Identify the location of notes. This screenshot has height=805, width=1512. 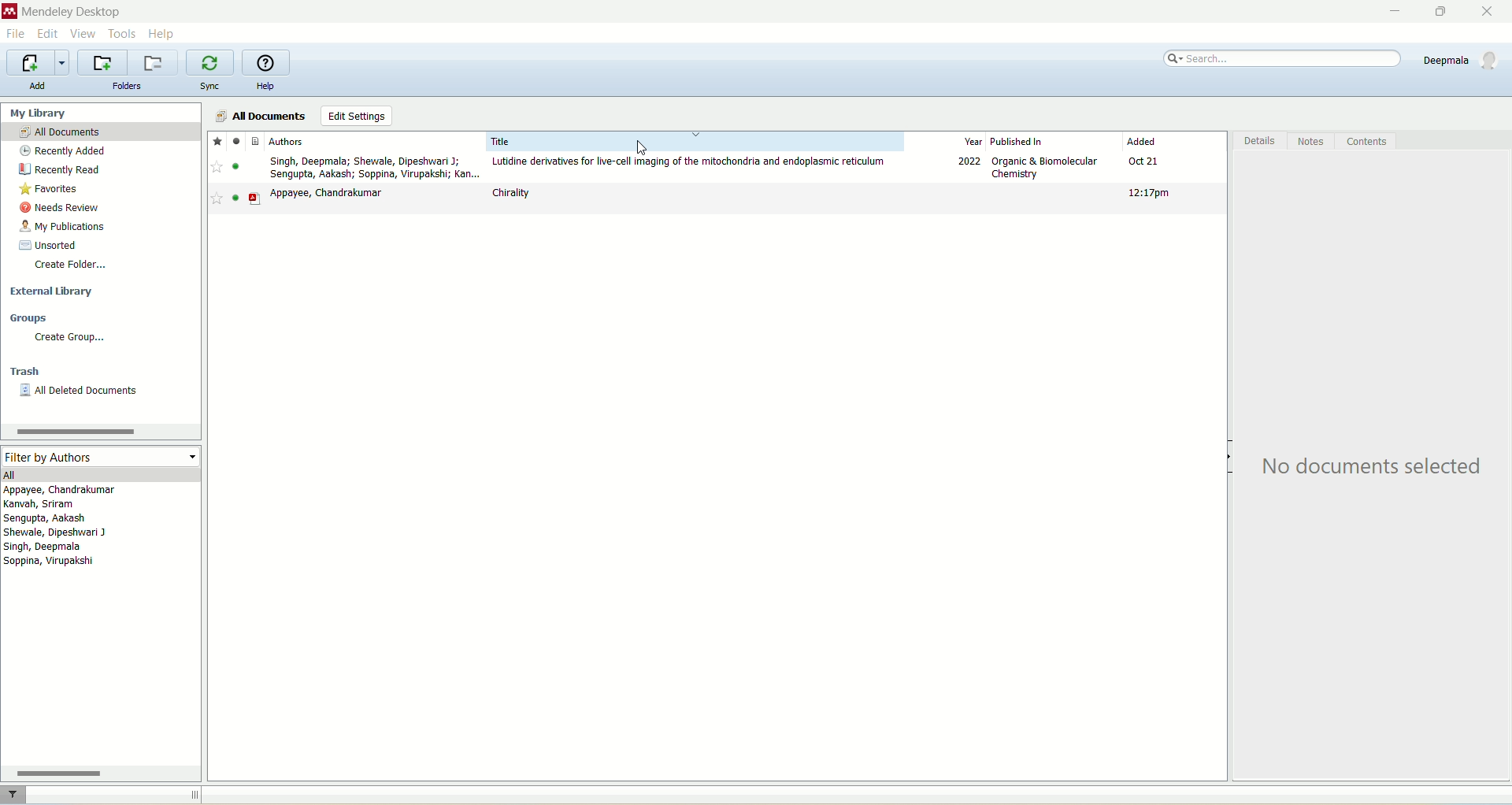
(1308, 140).